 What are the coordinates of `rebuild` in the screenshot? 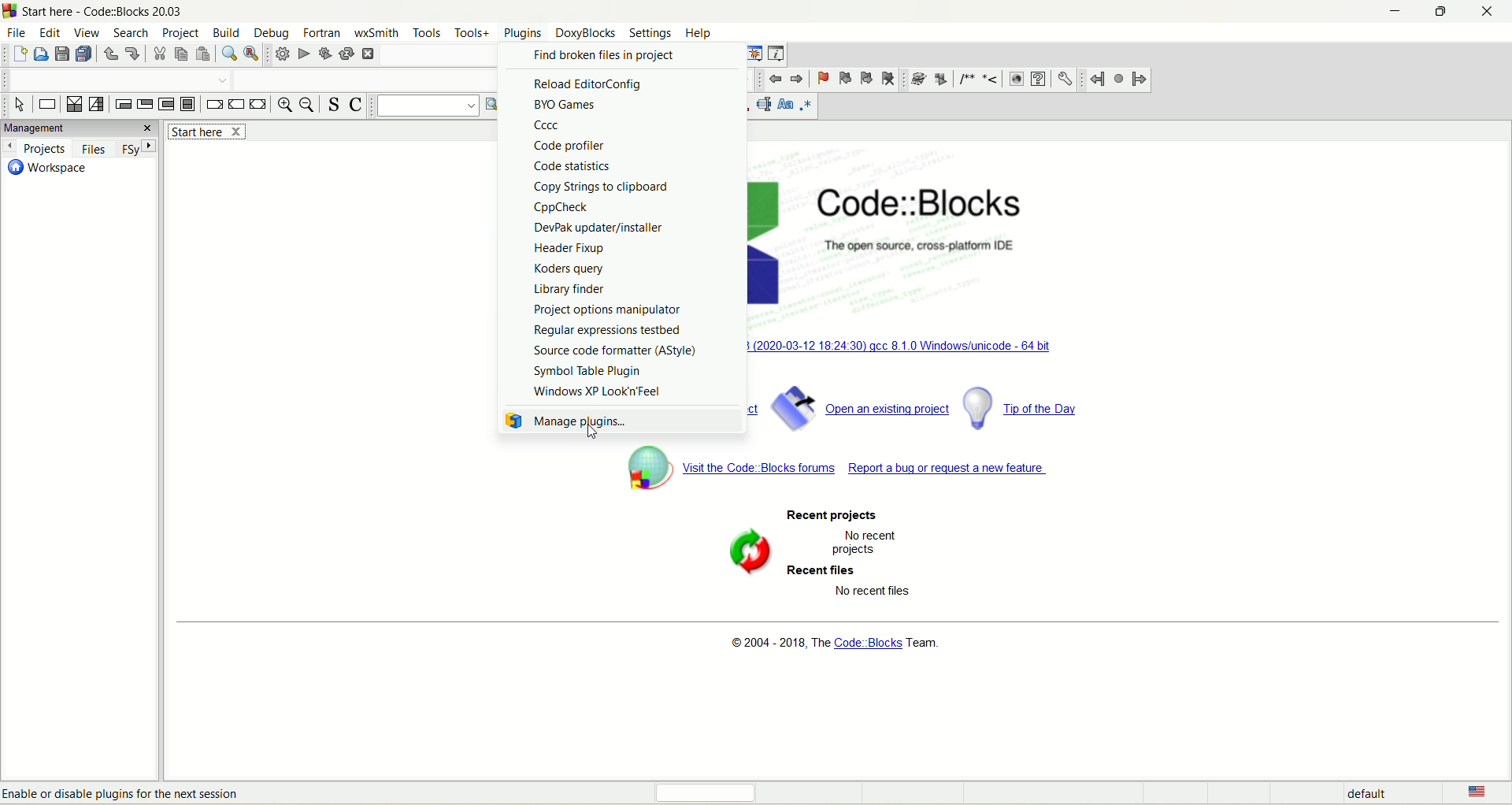 It's located at (348, 54).